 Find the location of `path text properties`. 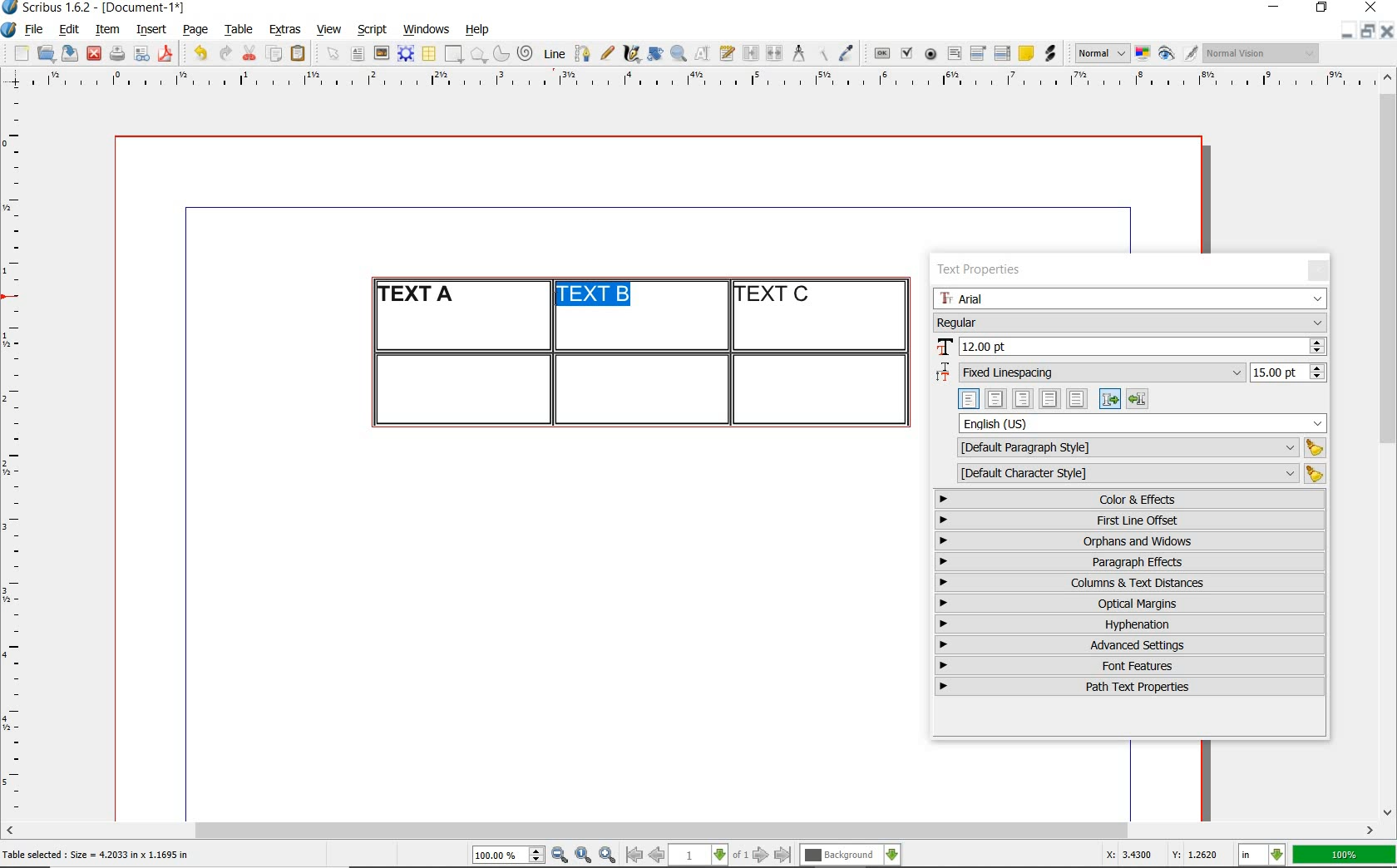

path text properties is located at coordinates (1128, 687).